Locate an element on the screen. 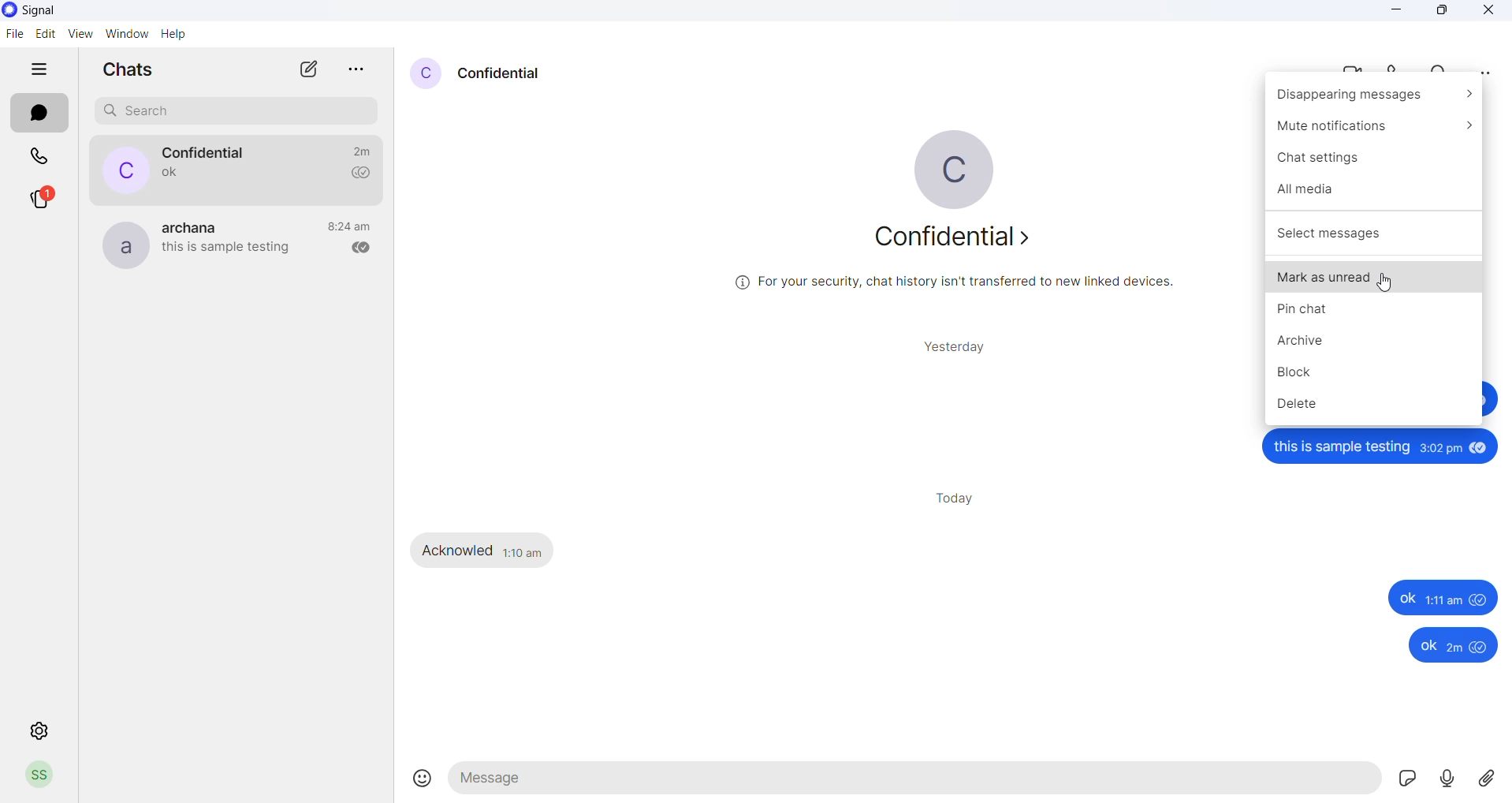 The height and width of the screenshot is (803, 1512). All media is located at coordinates (1371, 188).